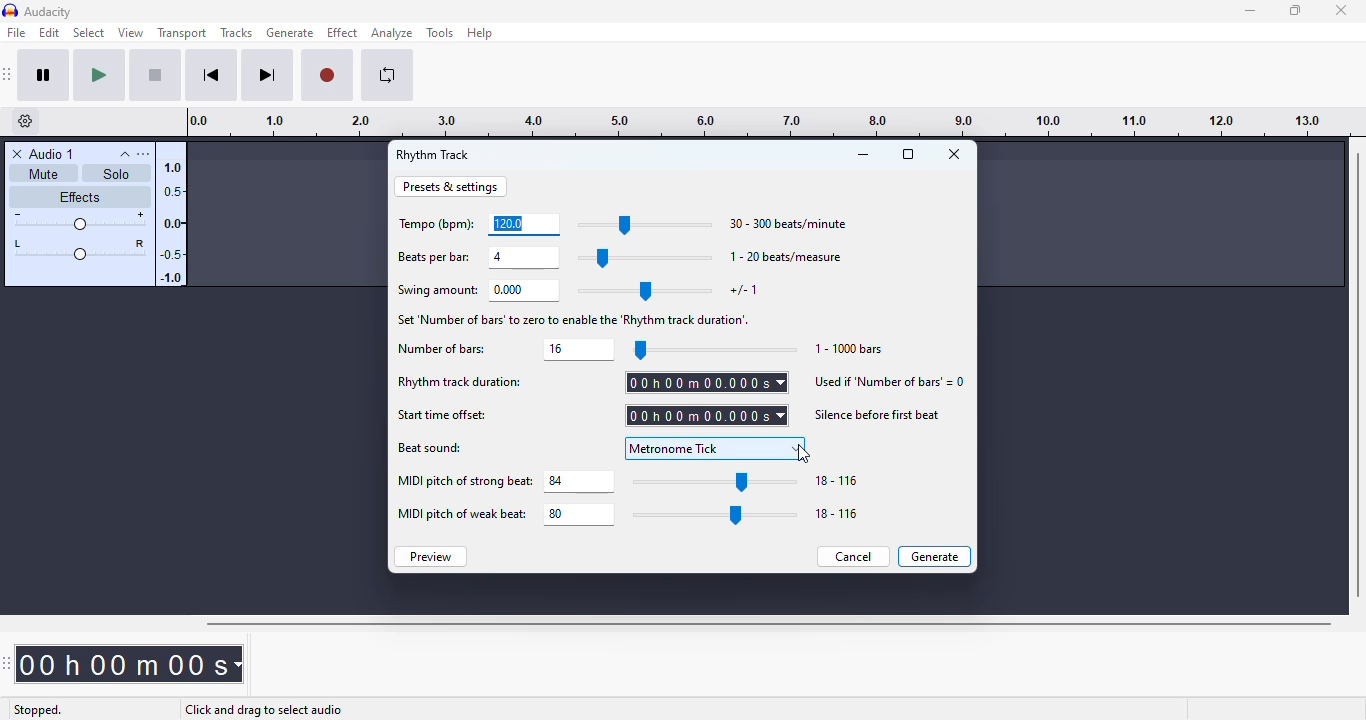 The image size is (1366, 720). What do you see at coordinates (706, 382) in the screenshot?
I see `set rhythm track duration` at bounding box center [706, 382].